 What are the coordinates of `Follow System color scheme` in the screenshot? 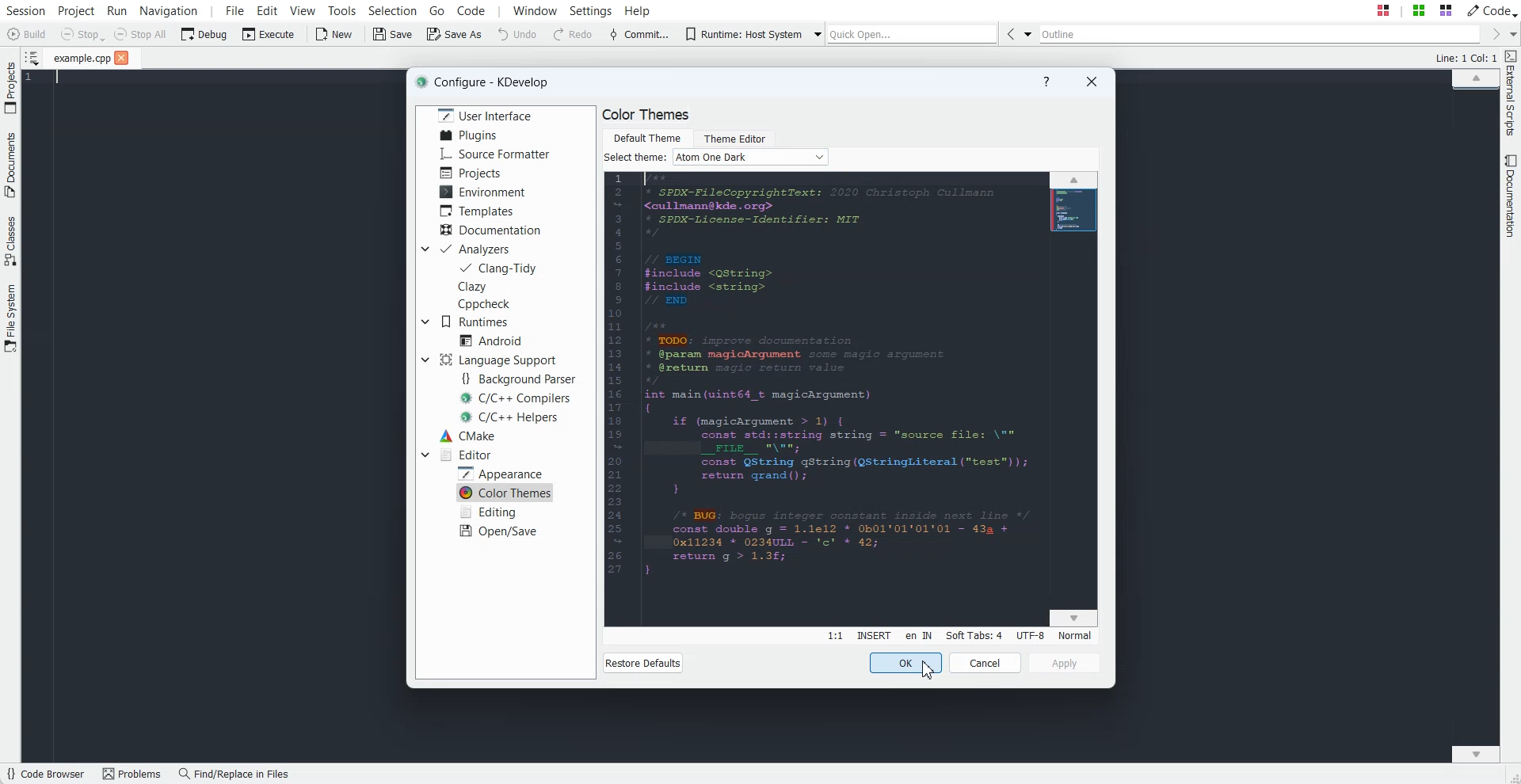 It's located at (751, 157).